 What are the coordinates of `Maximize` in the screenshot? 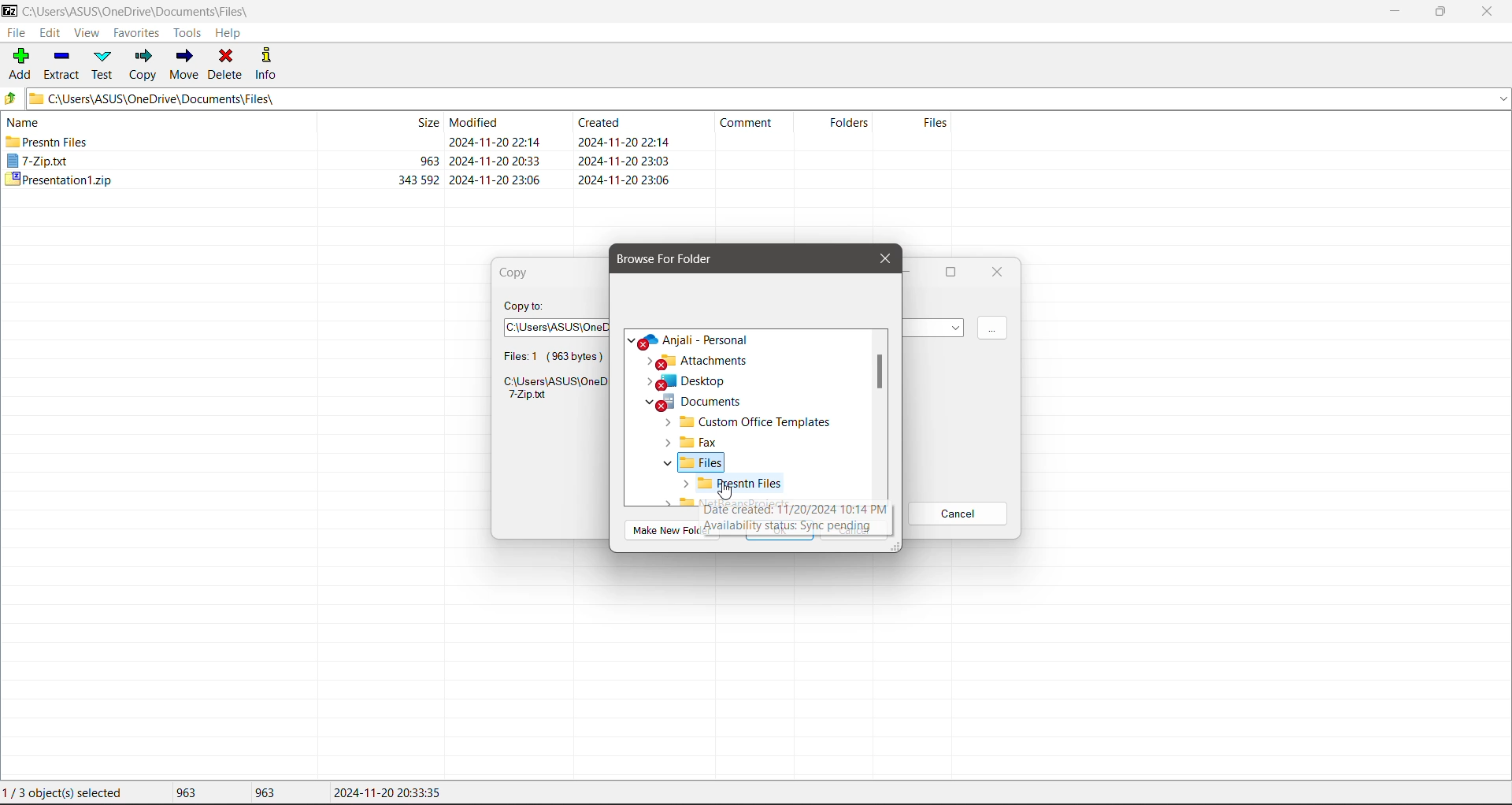 It's located at (955, 272).